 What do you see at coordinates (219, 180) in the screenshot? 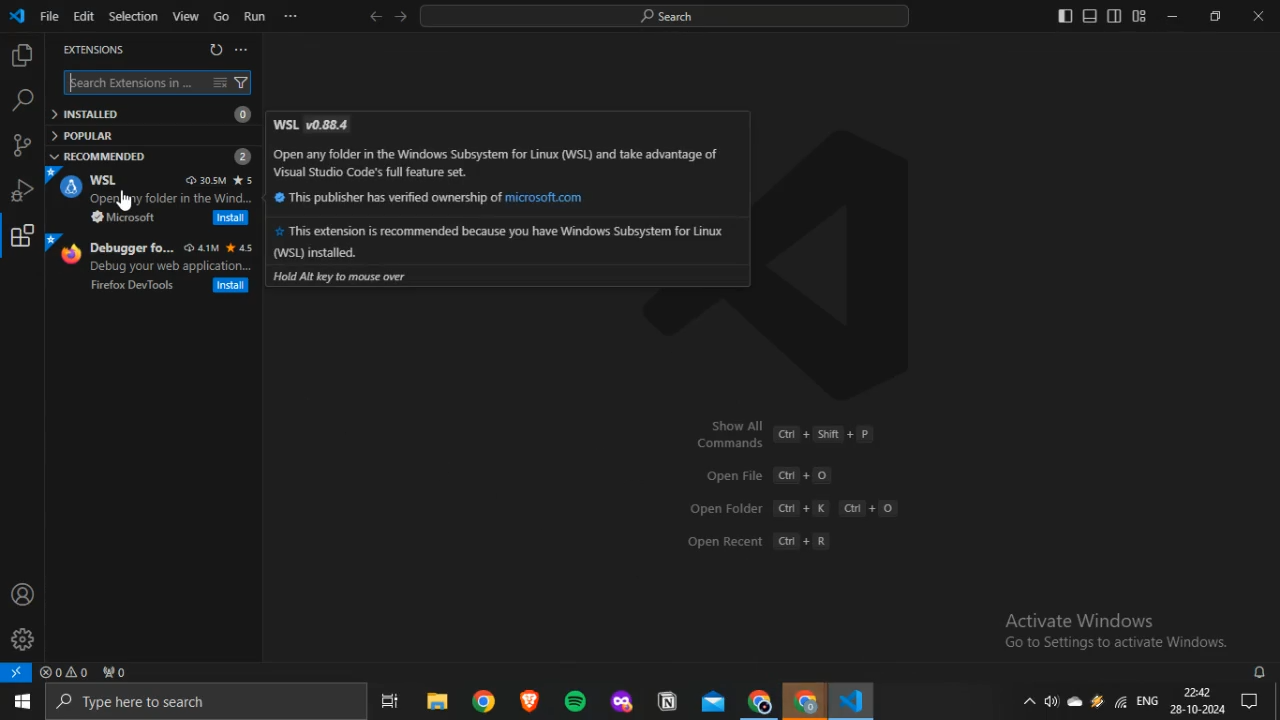
I see `30.5M 5` at bounding box center [219, 180].